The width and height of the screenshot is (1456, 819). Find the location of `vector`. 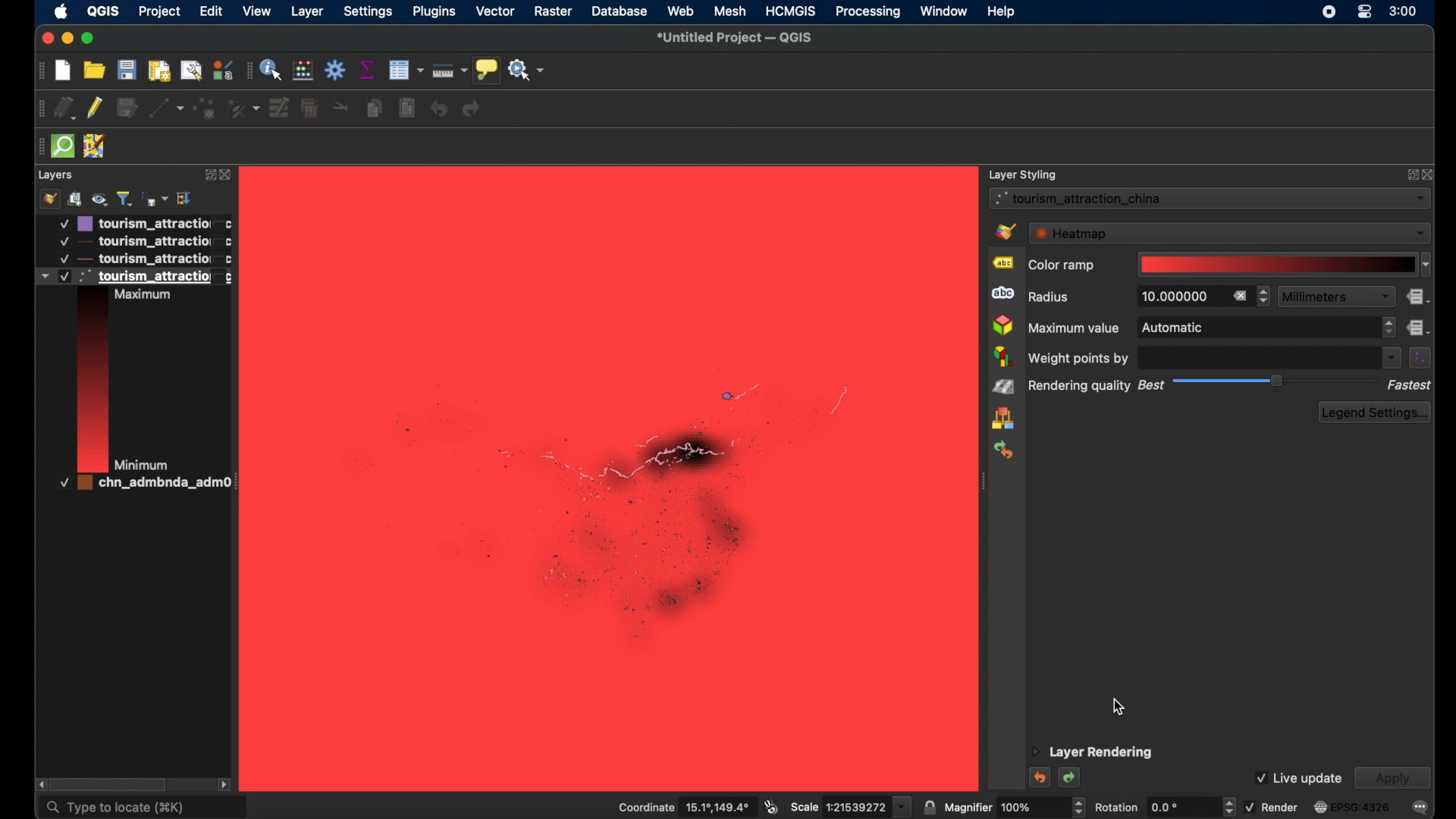

vector is located at coordinates (496, 11).